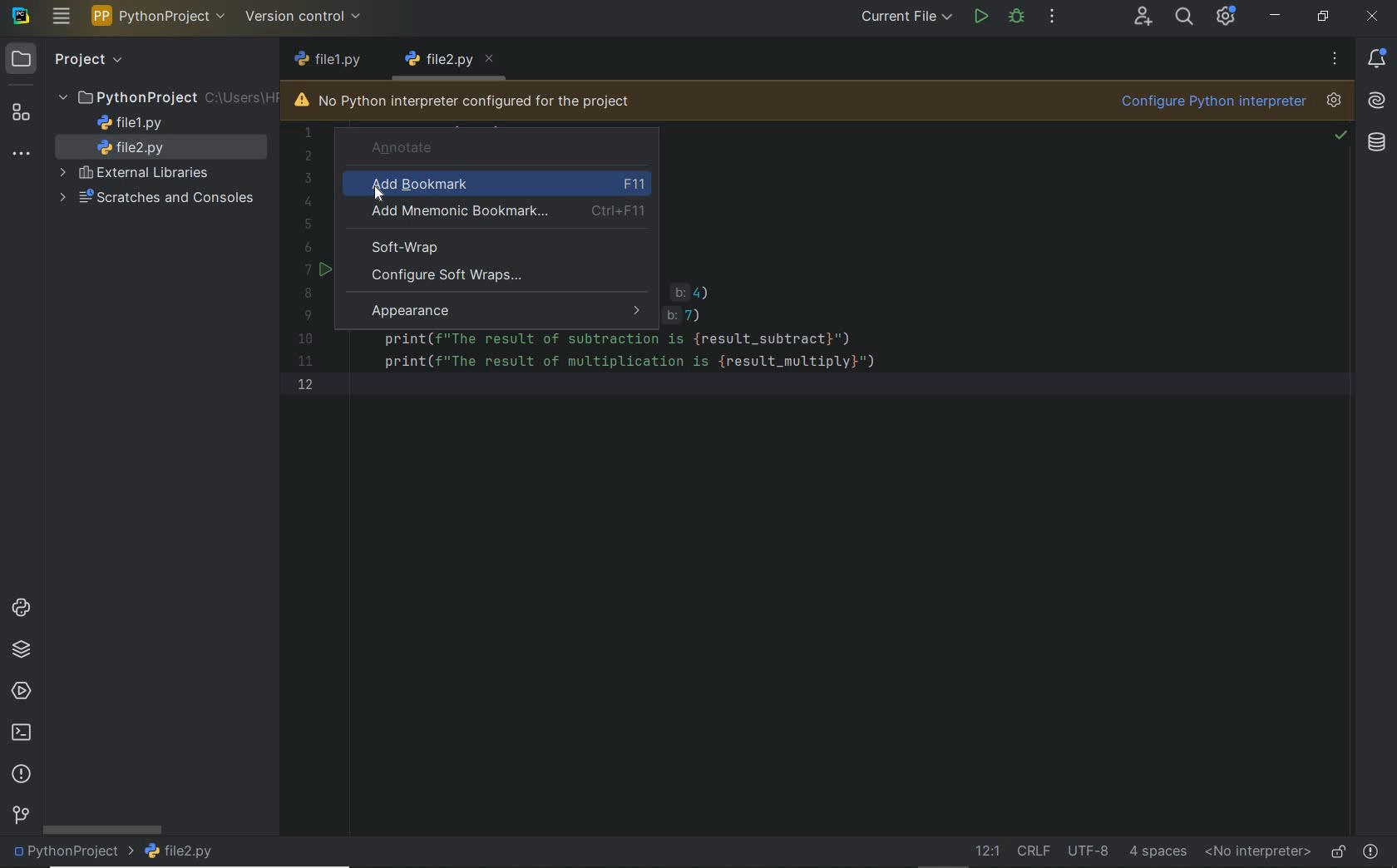 Image resolution: width=1397 pixels, height=868 pixels. Describe the element at coordinates (25, 115) in the screenshot. I see `structure` at that location.